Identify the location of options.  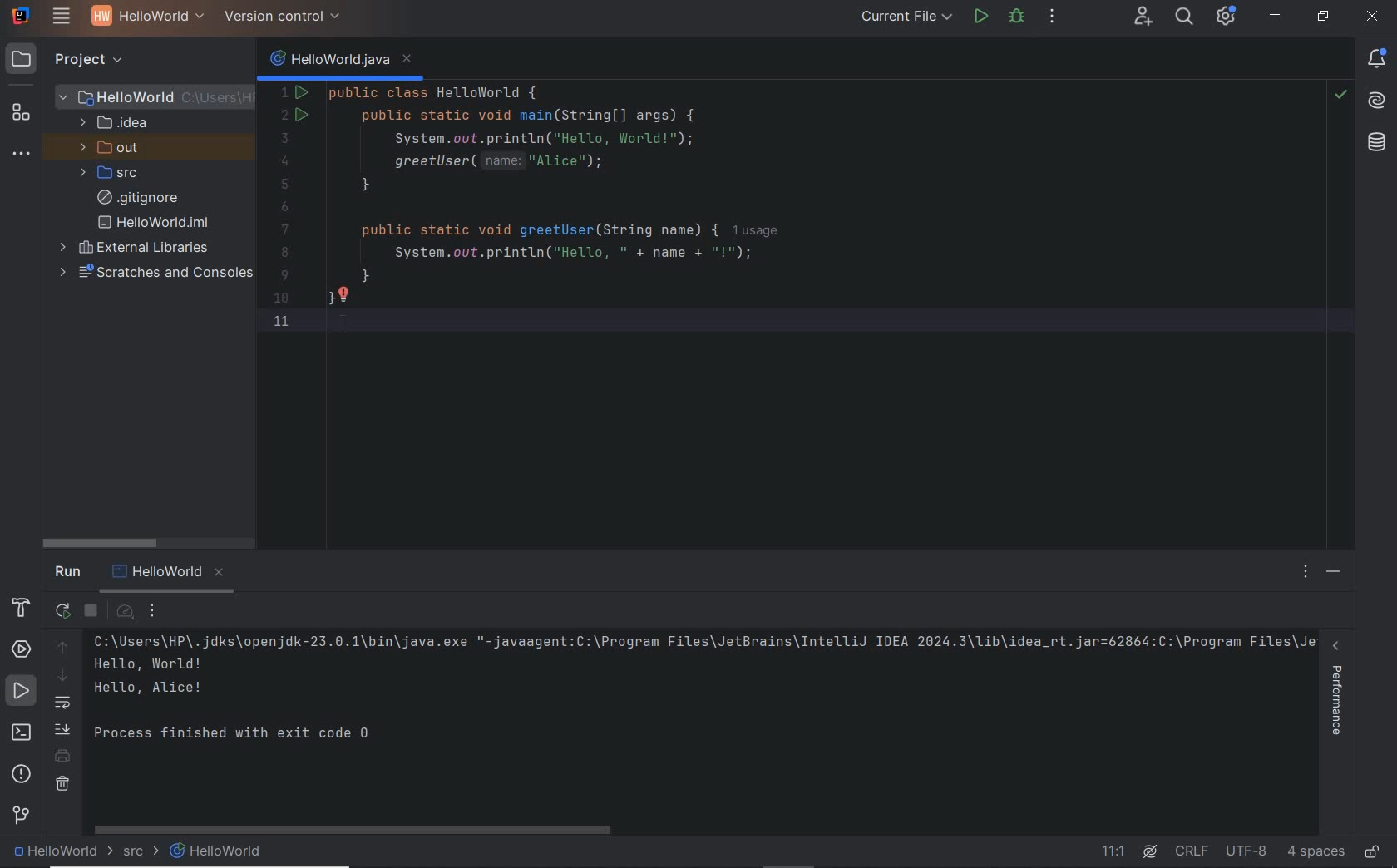
(1307, 574).